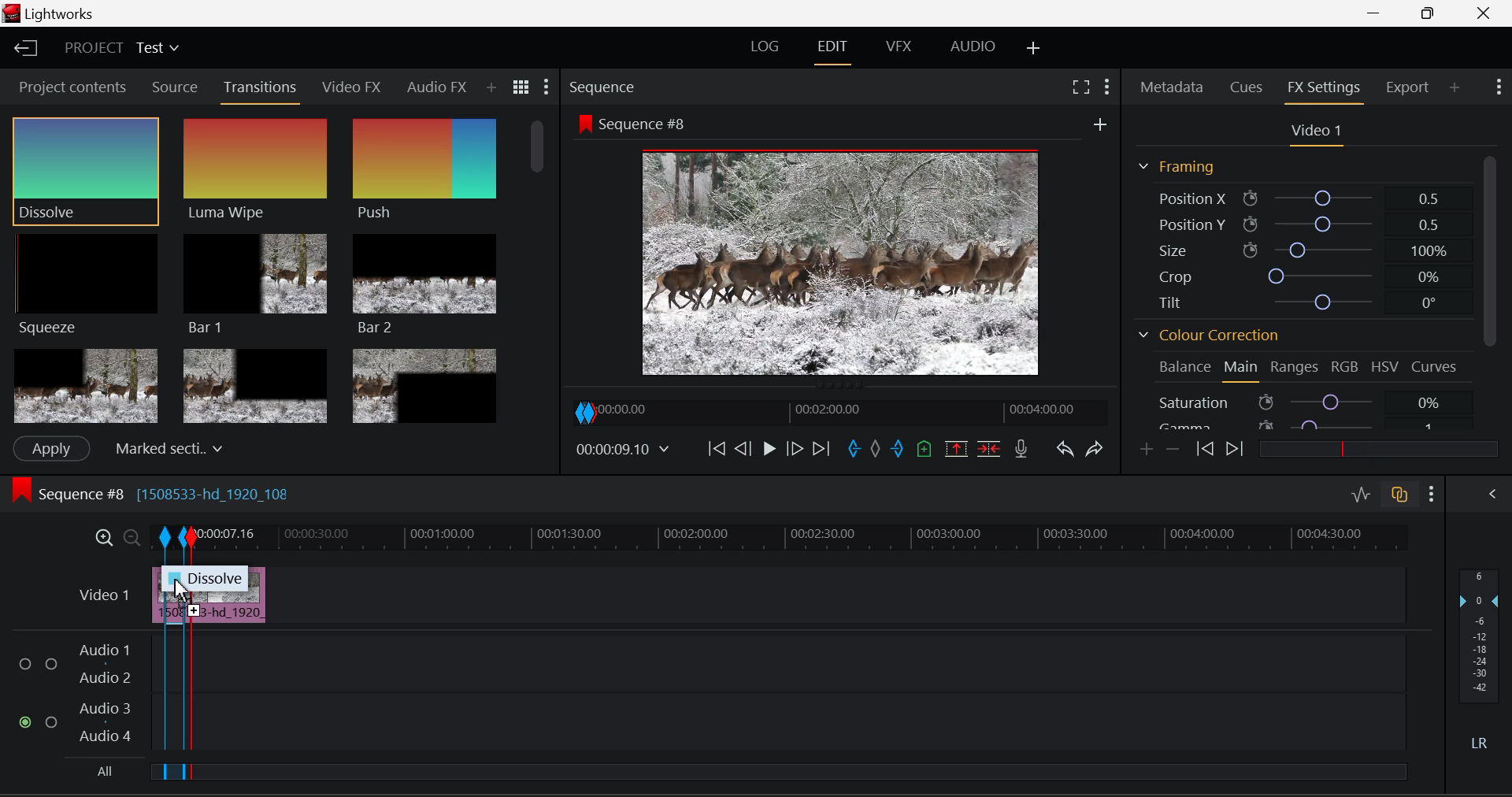 The height and width of the screenshot is (797, 1512). What do you see at coordinates (84, 387) in the screenshot?
I see `Box 1` at bounding box center [84, 387].